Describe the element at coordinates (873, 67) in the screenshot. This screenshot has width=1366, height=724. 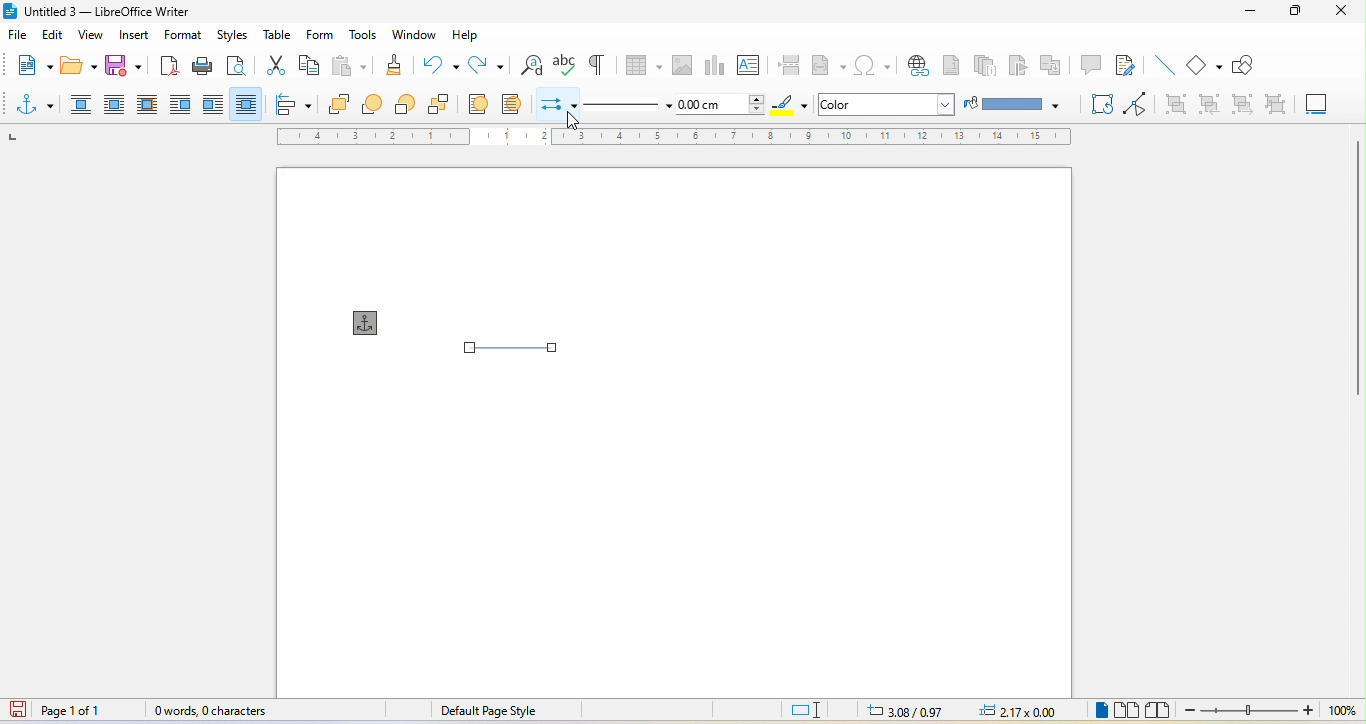
I see `special character` at that location.